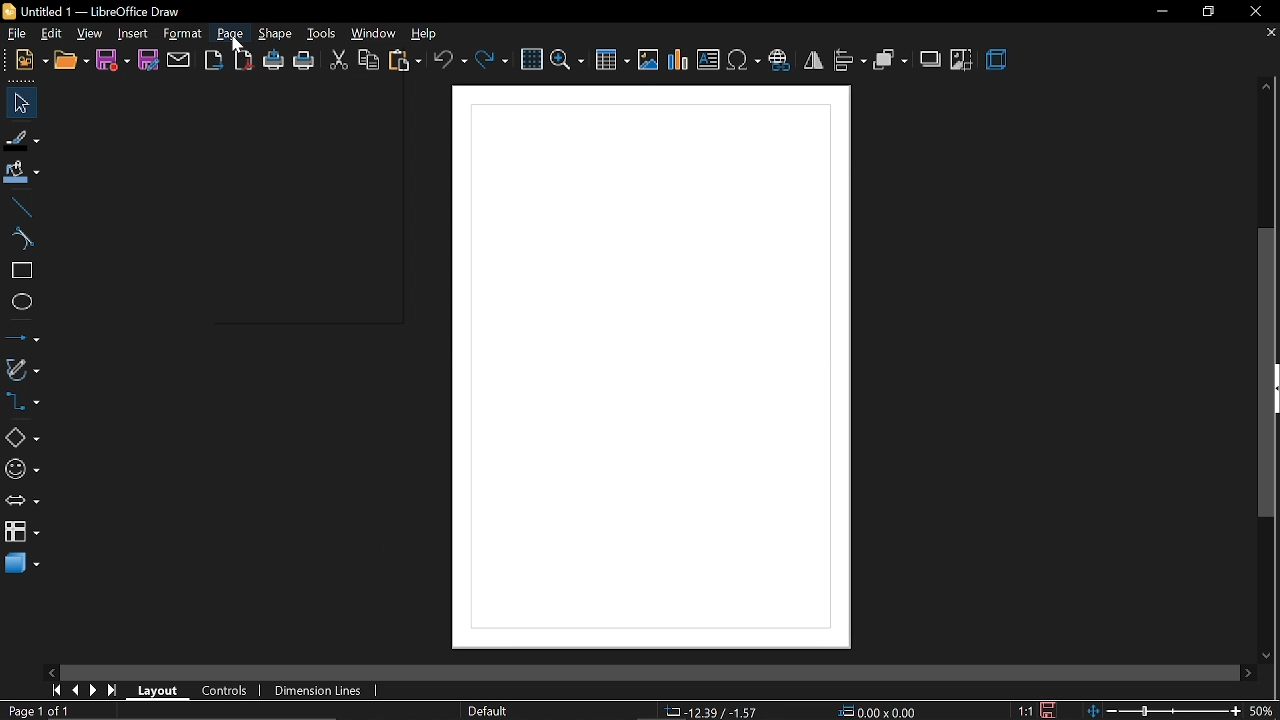 This screenshot has height=720, width=1280. Describe the element at coordinates (1269, 373) in the screenshot. I see `vertical scrollbar` at that location.